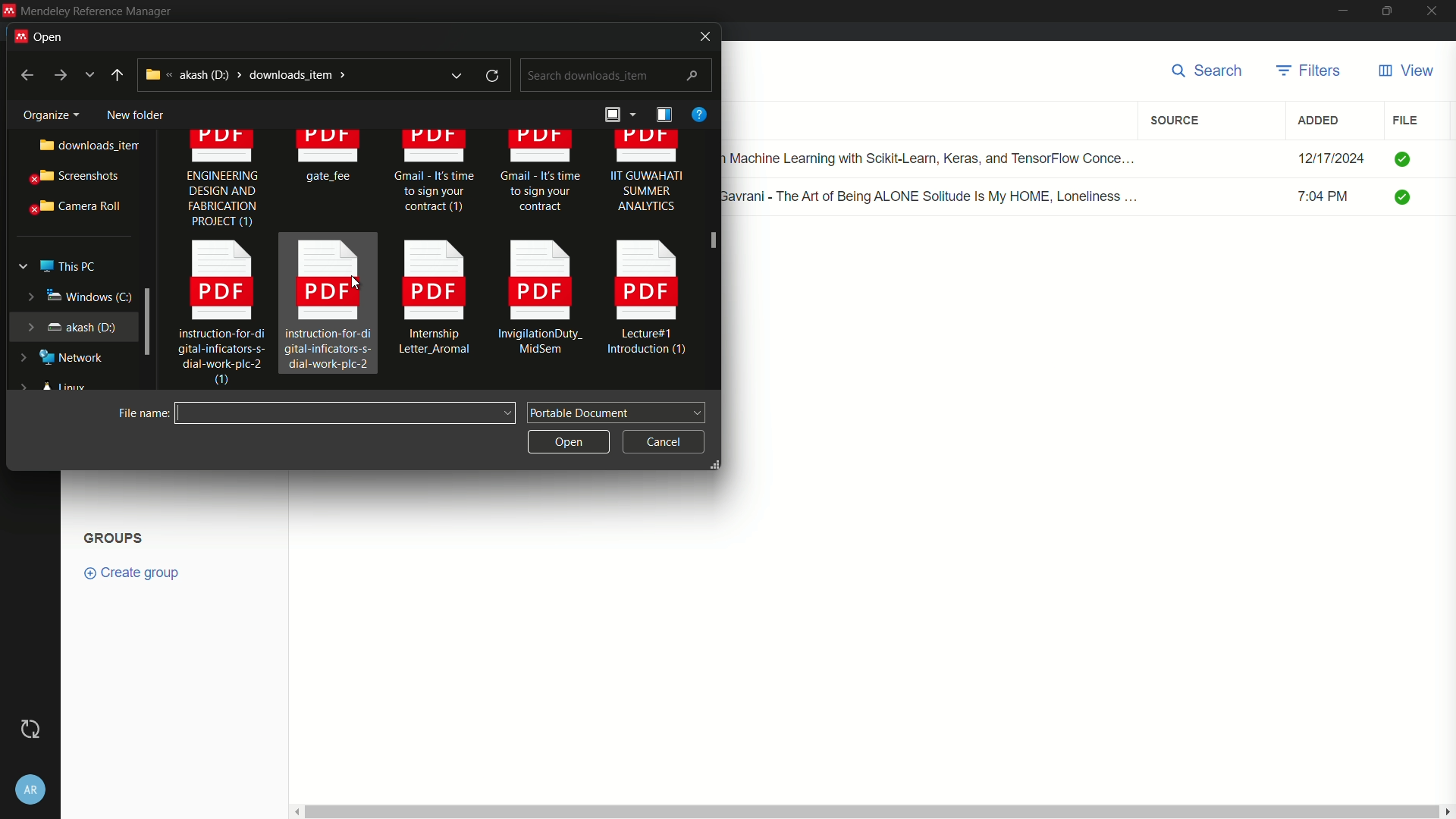 This screenshot has width=1456, height=819. Describe the element at coordinates (541, 301) in the screenshot. I see `InvigilationDuty_
[EE` at that location.